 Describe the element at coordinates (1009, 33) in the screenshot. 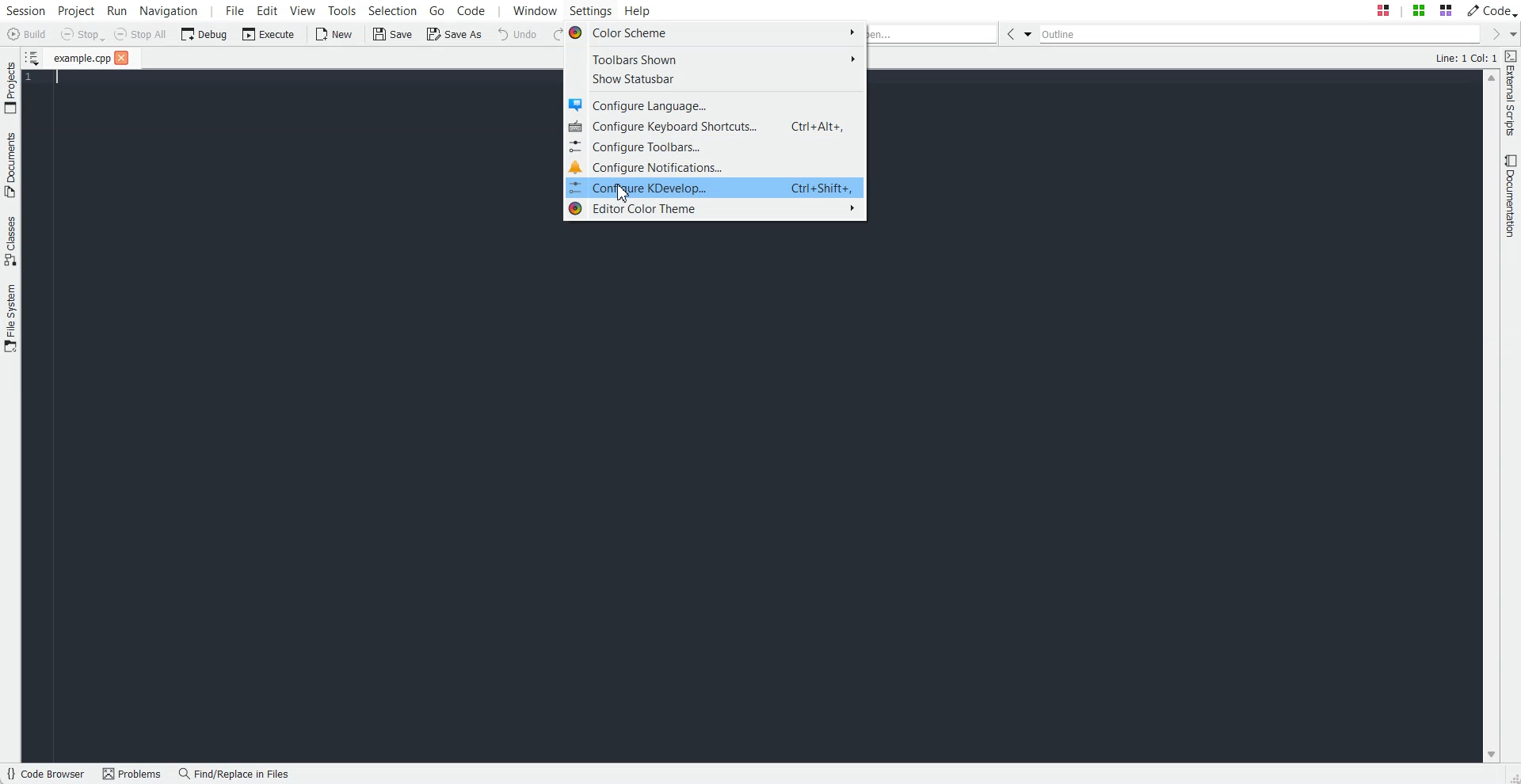

I see `Go Back` at that location.